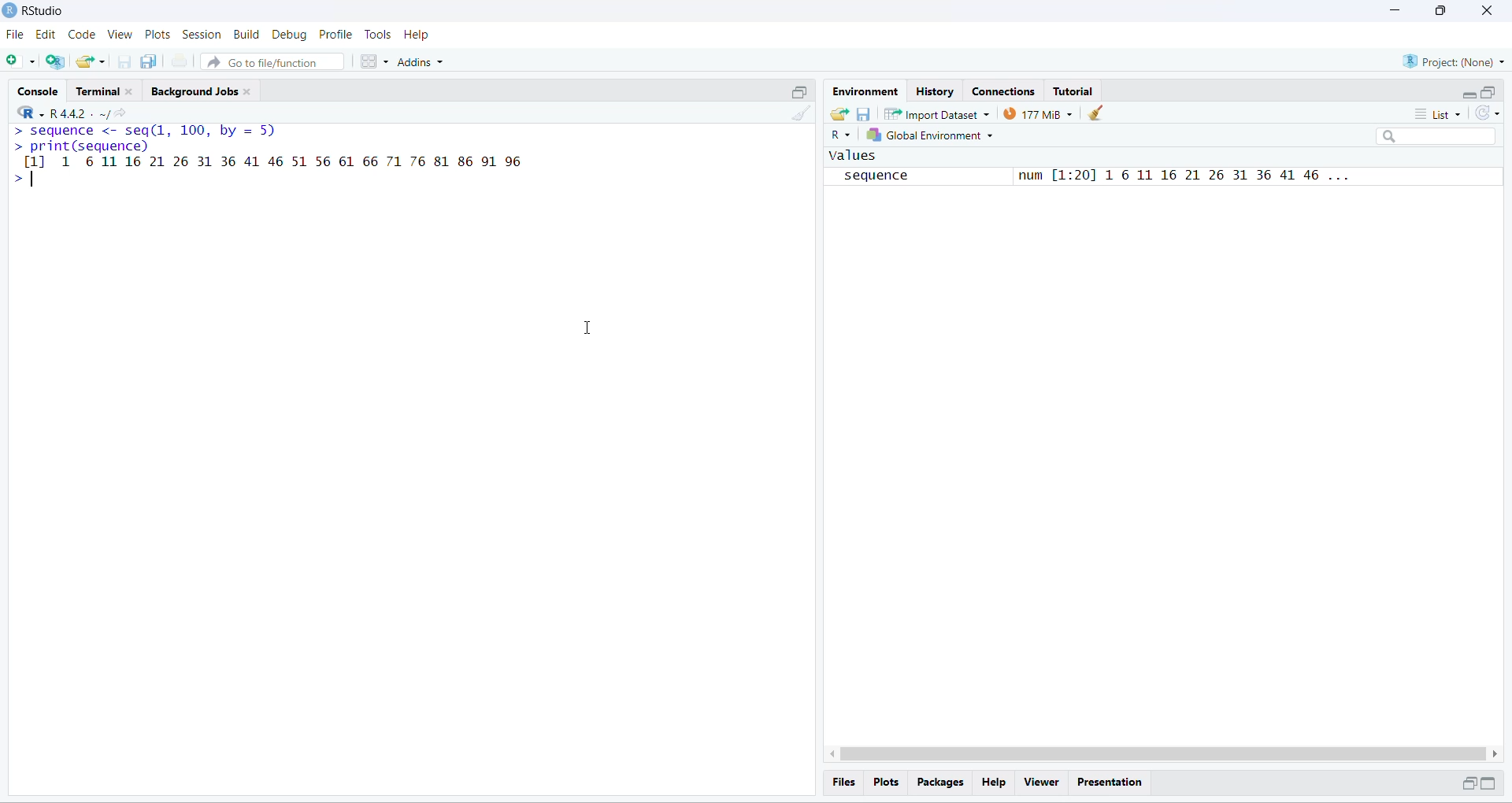 This screenshot has width=1512, height=803. I want to click on logo, so click(9, 9).